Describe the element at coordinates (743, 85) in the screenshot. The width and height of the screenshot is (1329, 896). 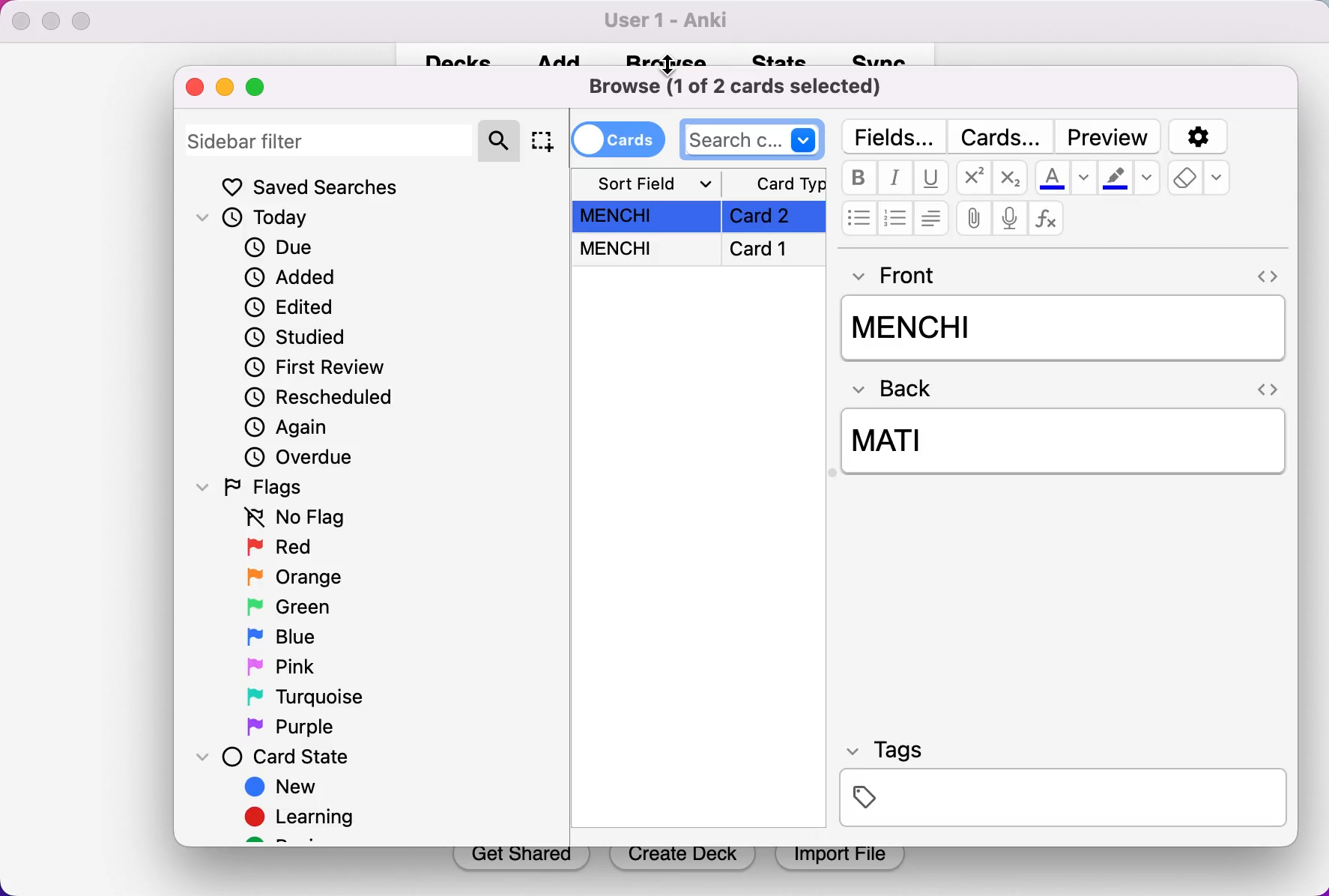
I see `browse (1 of 2 cards selected)` at that location.